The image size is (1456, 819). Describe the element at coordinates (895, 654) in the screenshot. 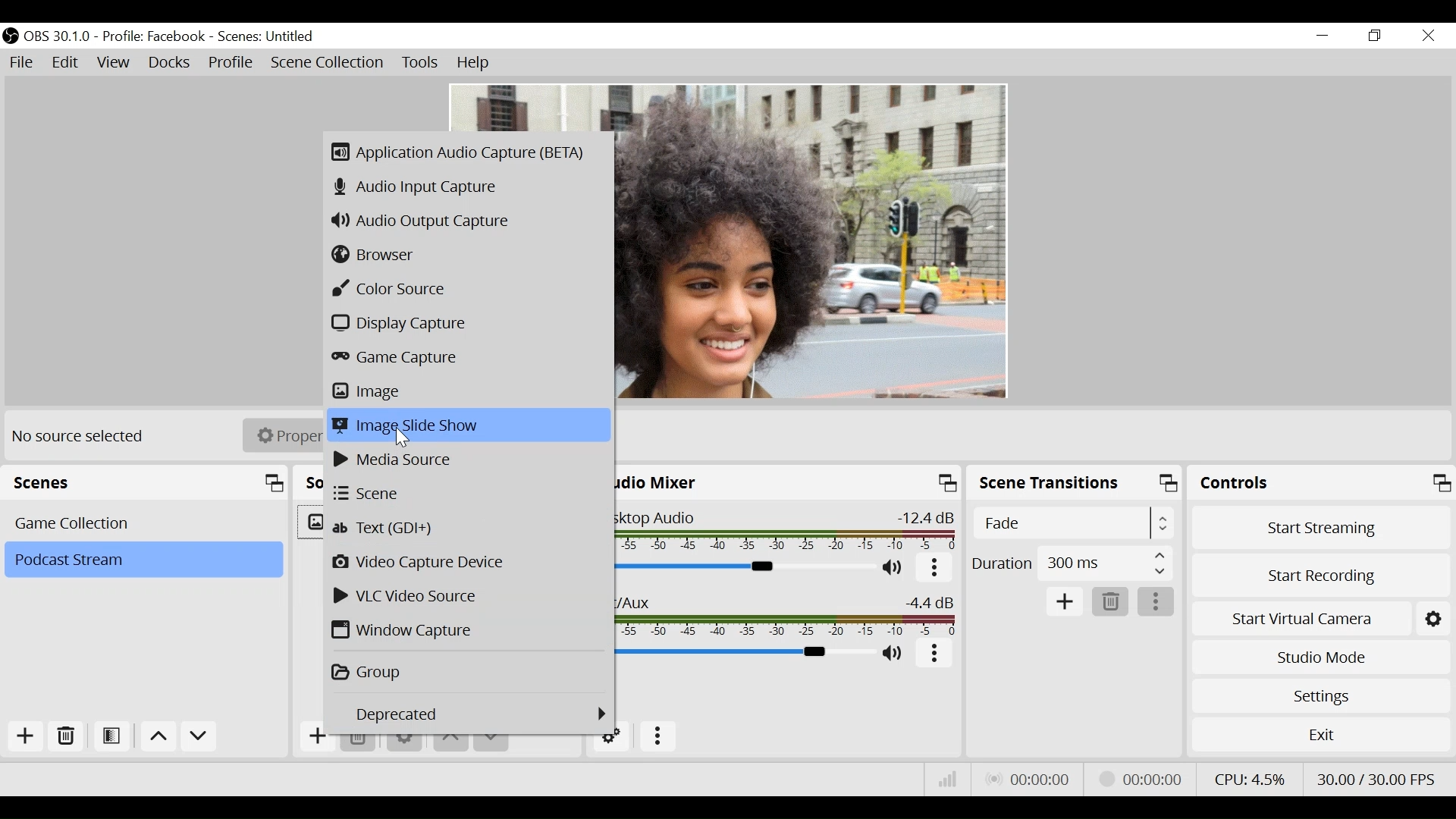

I see `(un)mute` at that location.